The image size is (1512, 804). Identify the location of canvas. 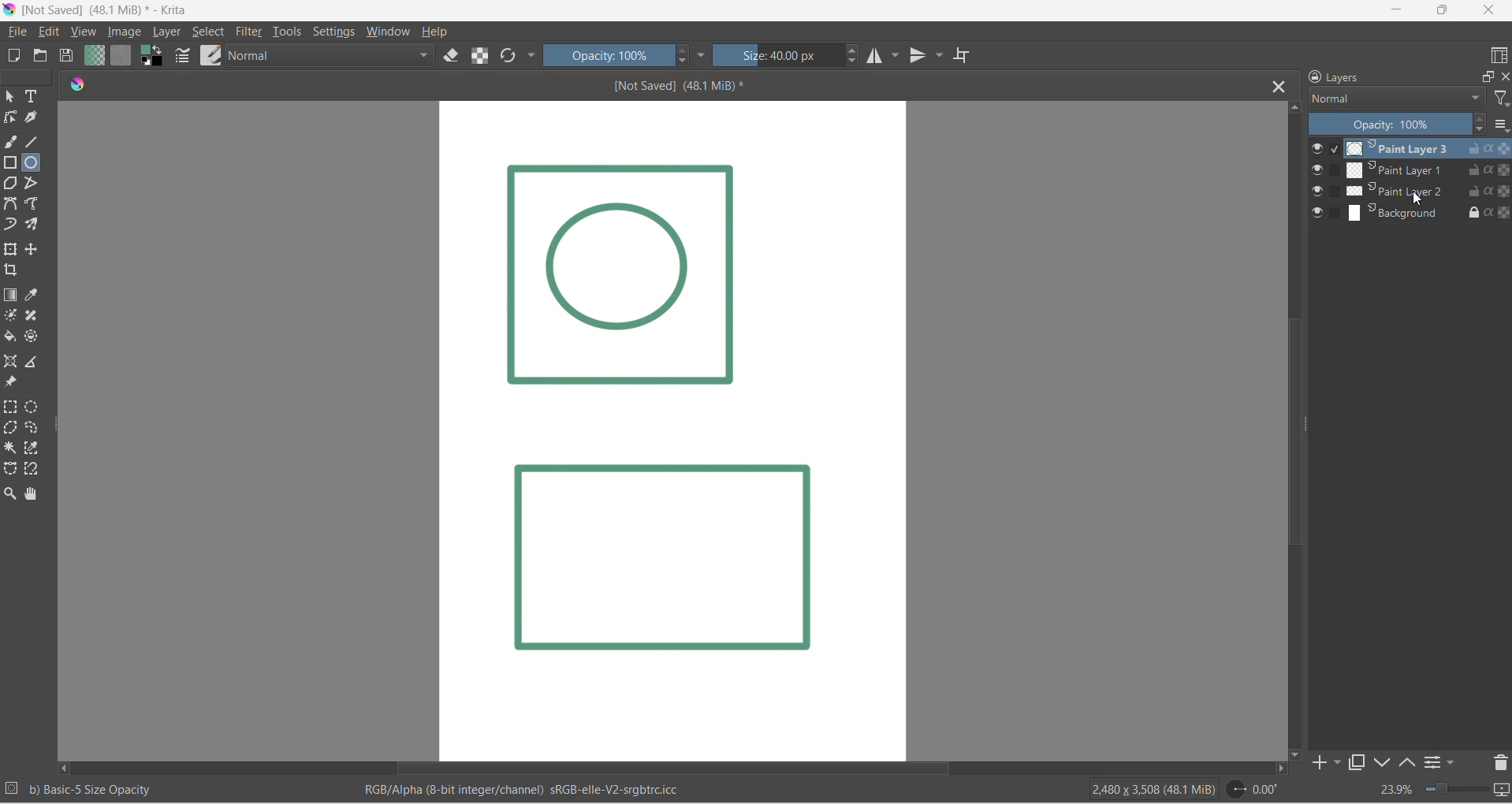
(672, 432).